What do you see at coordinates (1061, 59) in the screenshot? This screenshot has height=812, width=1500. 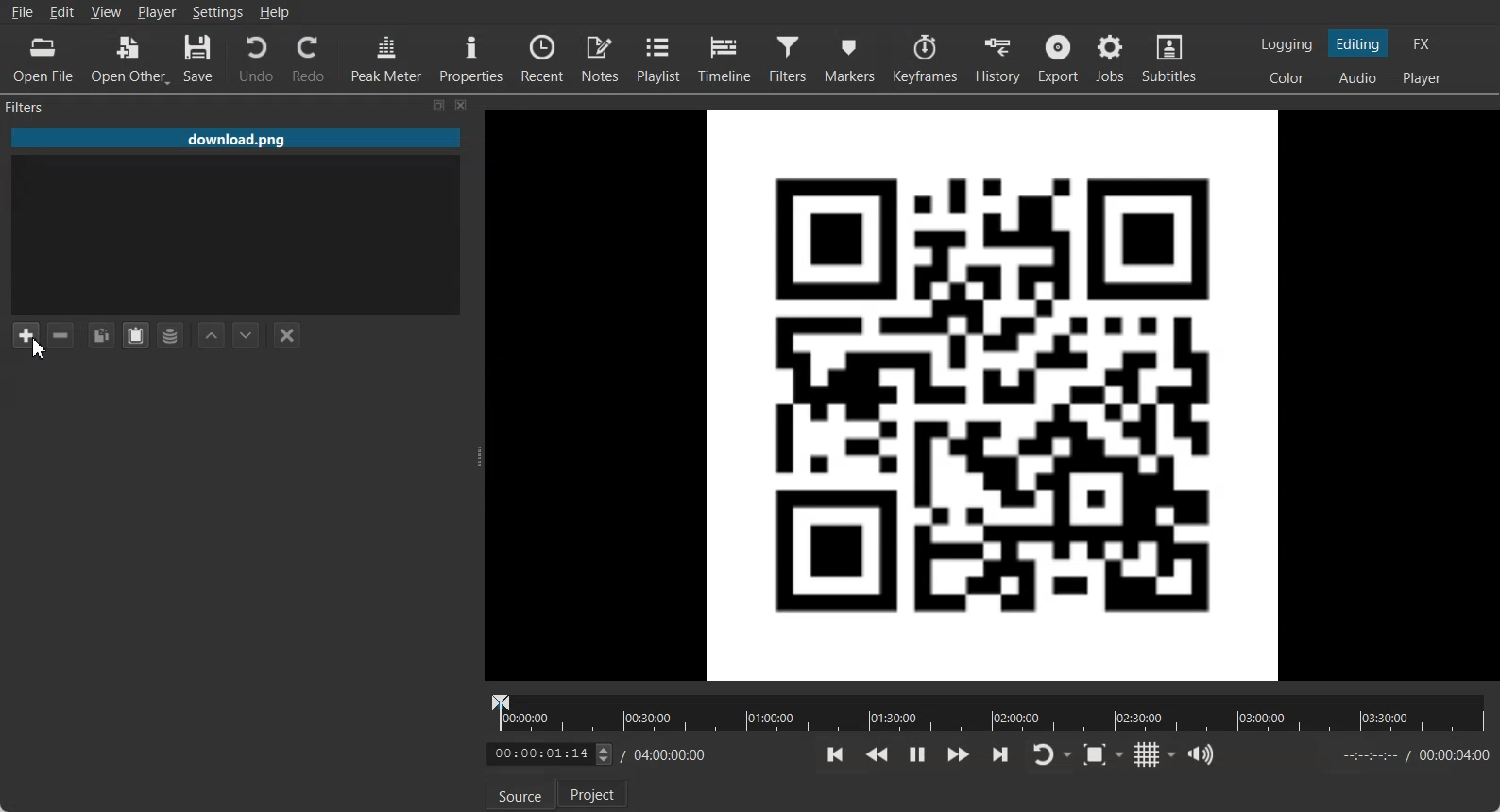 I see `Export` at bounding box center [1061, 59].